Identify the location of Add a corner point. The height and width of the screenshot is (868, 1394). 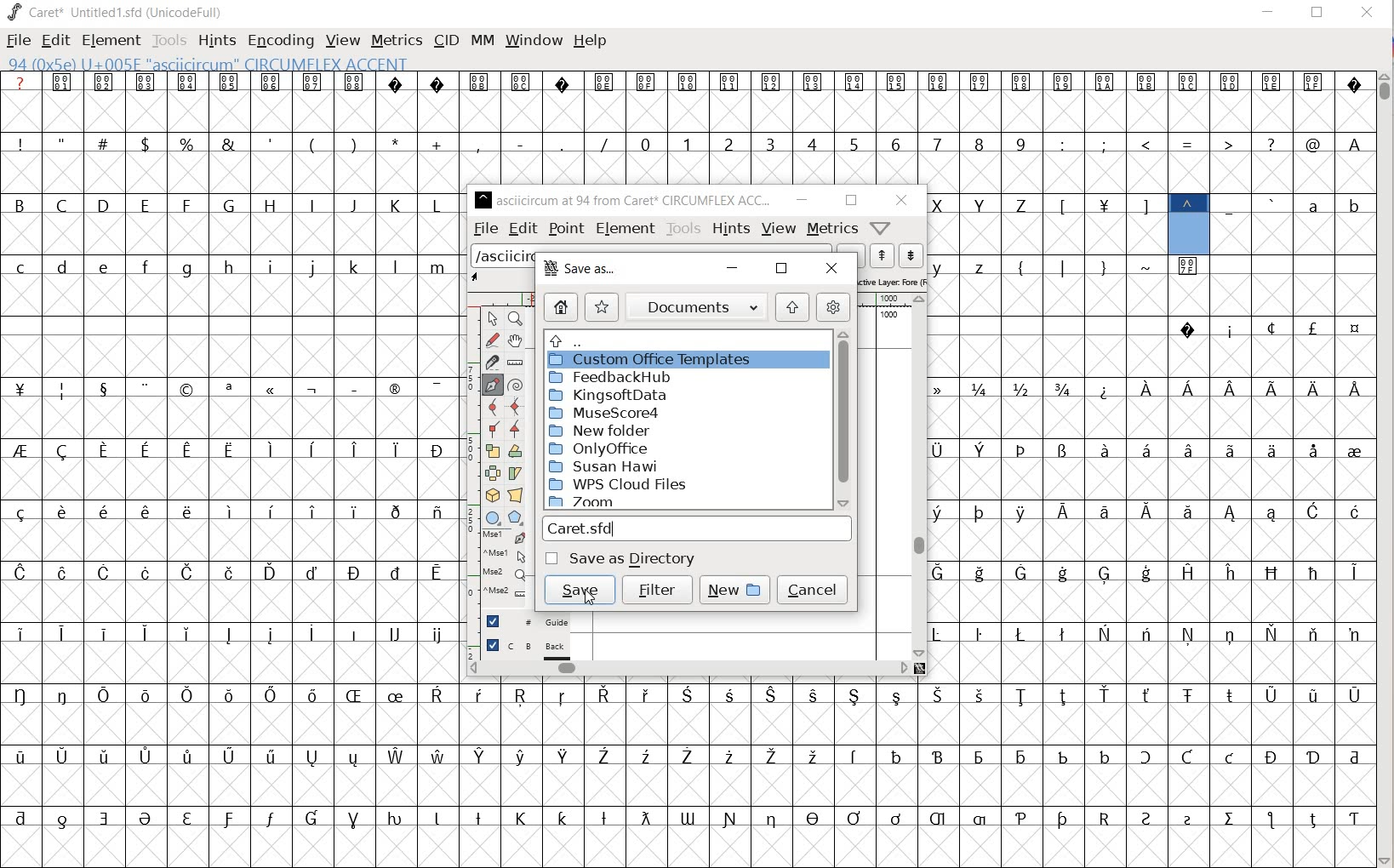
(491, 428).